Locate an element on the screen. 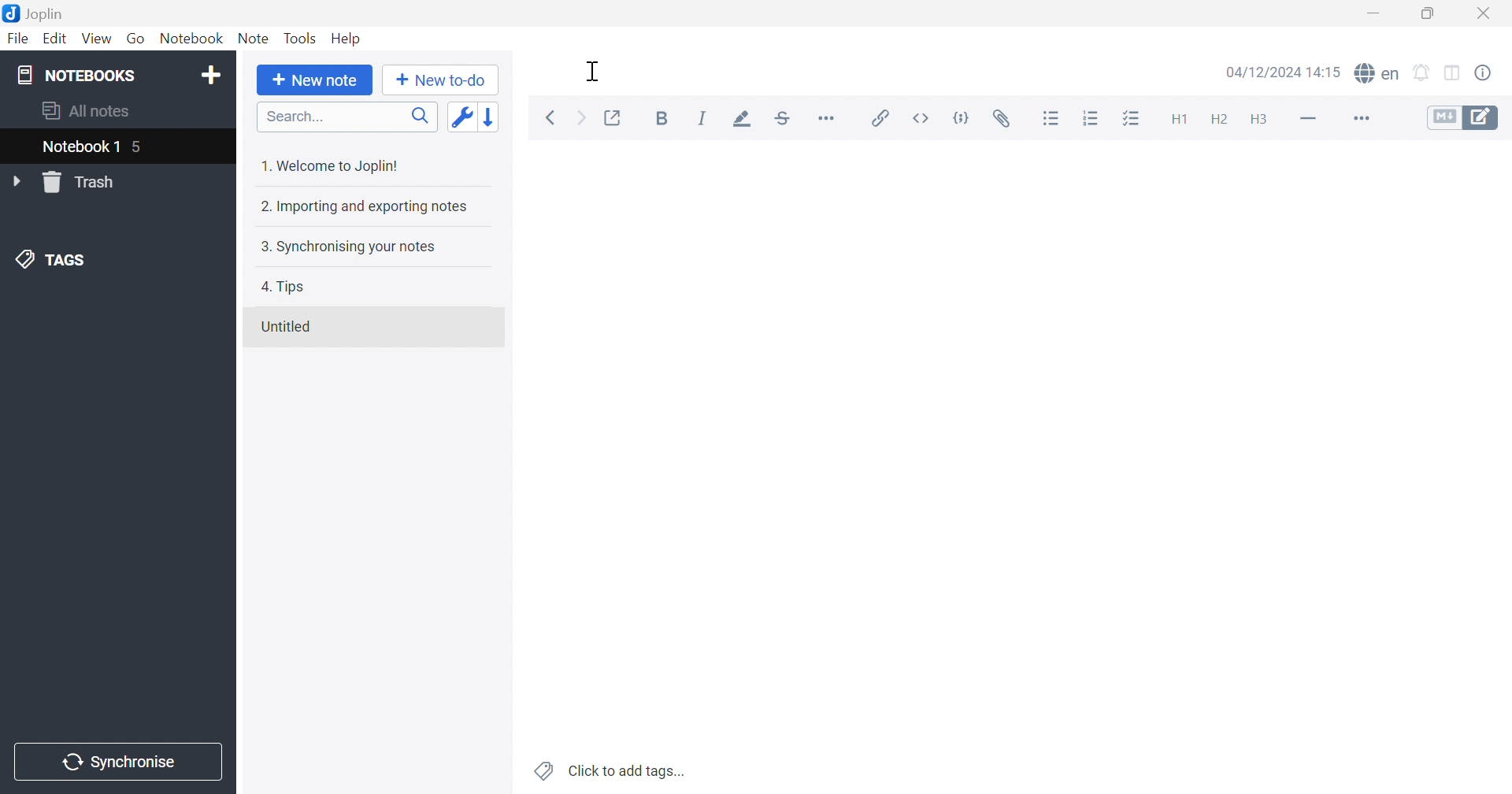 This screenshot has width=1512, height=794. Note properties is located at coordinates (1483, 73).